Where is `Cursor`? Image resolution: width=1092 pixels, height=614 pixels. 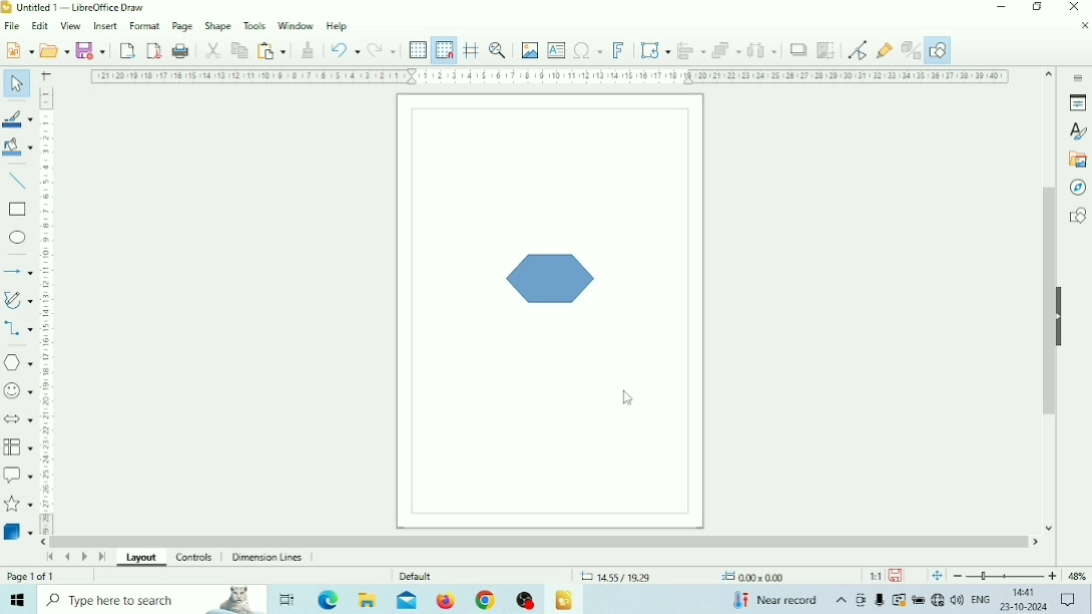 Cursor is located at coordinates (629, 399).